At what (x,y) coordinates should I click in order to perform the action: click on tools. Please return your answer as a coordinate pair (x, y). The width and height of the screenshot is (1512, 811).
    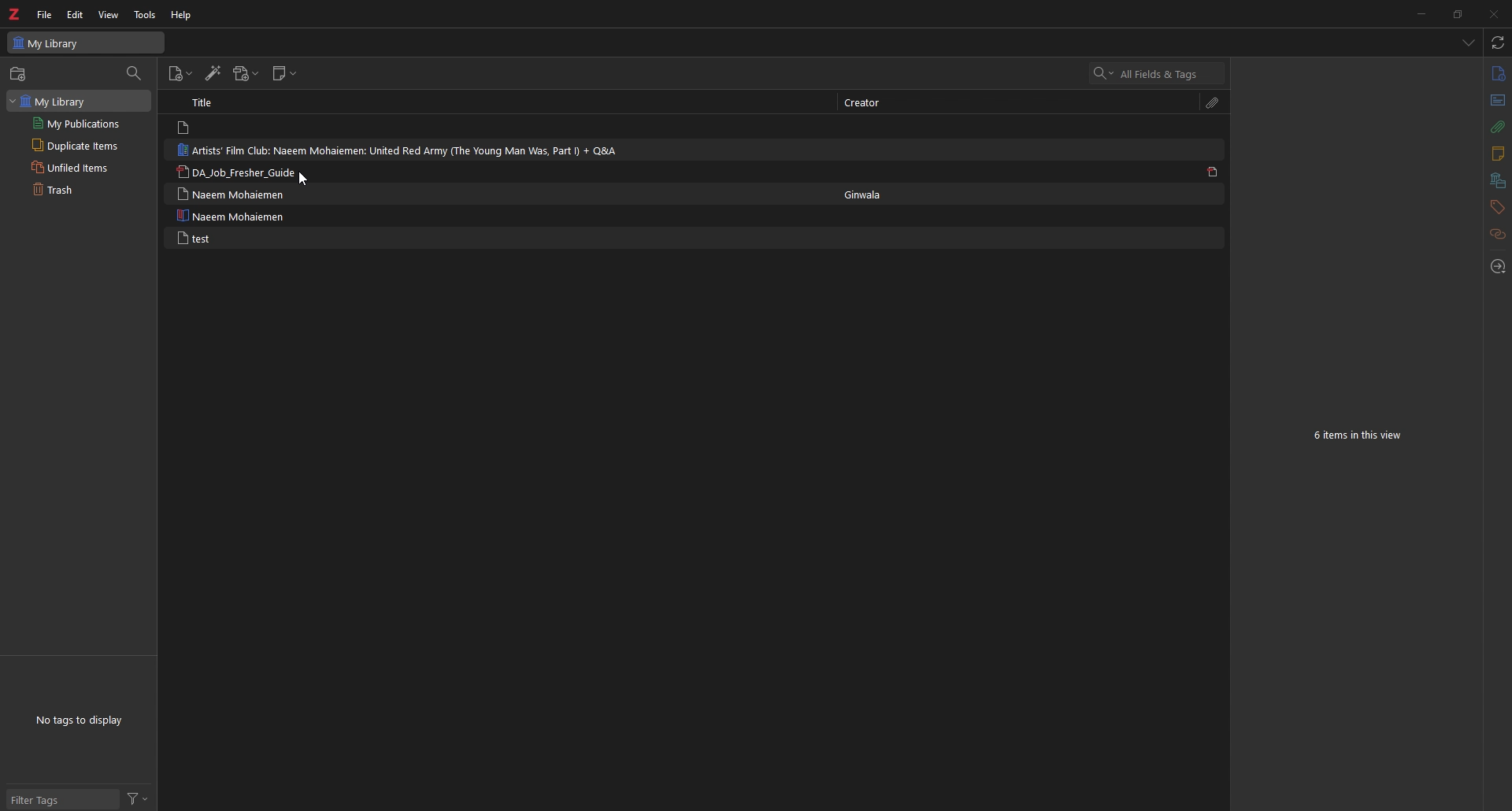
    Looking at the image, I should click on (146, 15).